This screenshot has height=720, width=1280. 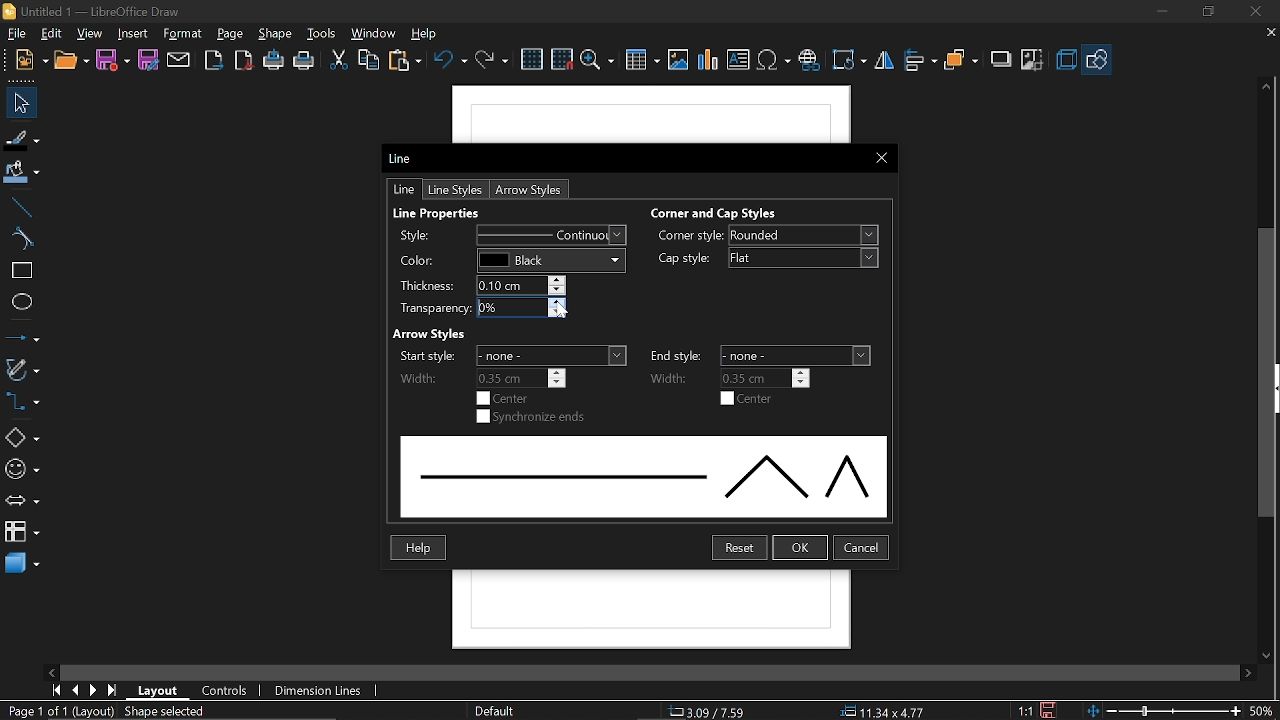 What do you see at coordinates (848, 62) in the screenshot?
I see `Transformation` at bounding box center [848, 62].